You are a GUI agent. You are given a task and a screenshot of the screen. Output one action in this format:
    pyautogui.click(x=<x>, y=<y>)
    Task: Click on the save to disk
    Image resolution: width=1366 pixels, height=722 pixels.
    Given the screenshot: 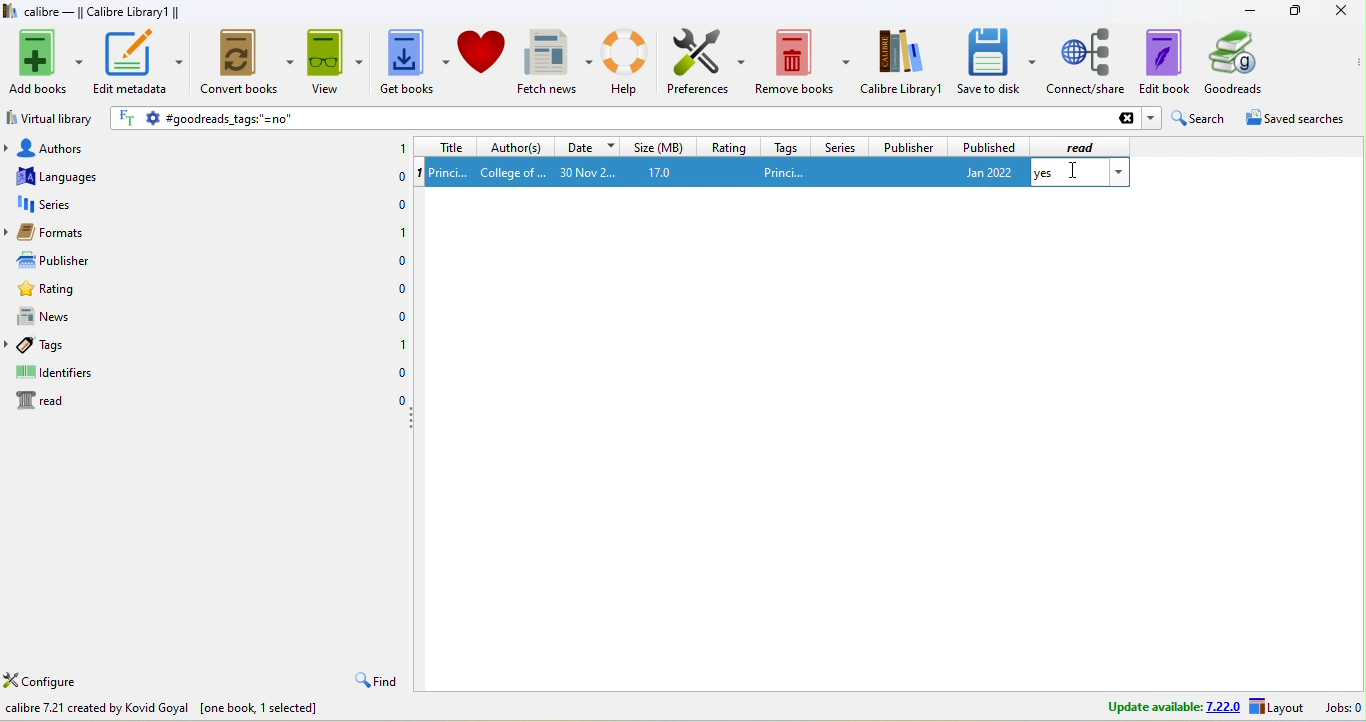 What is the action you would take?
    pyautogui.click(x=996, y=62)
    